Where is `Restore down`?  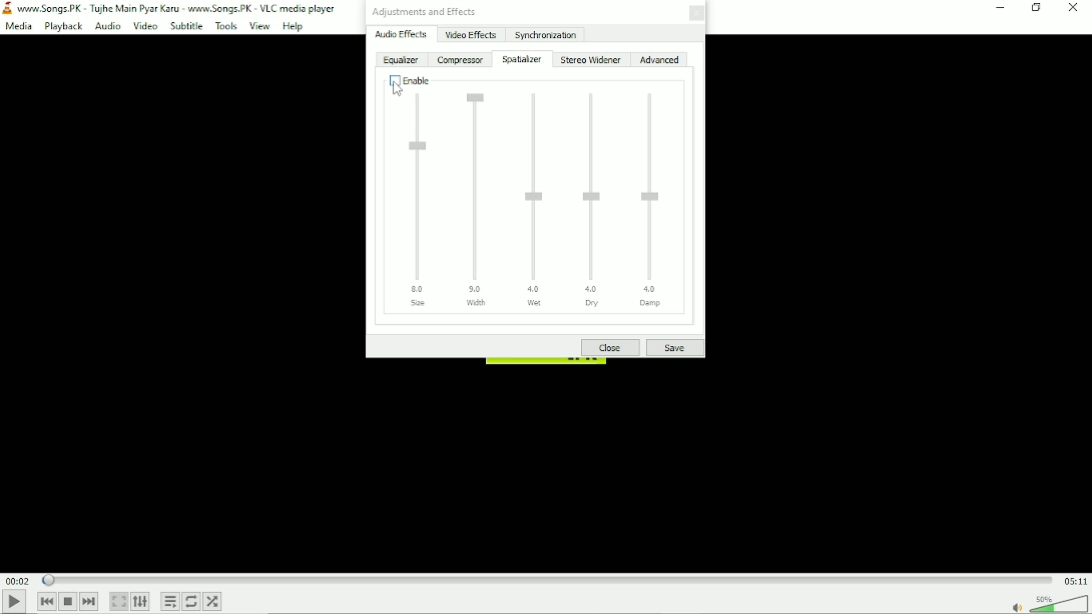
Restore down is located at coordinates (1036, 8).